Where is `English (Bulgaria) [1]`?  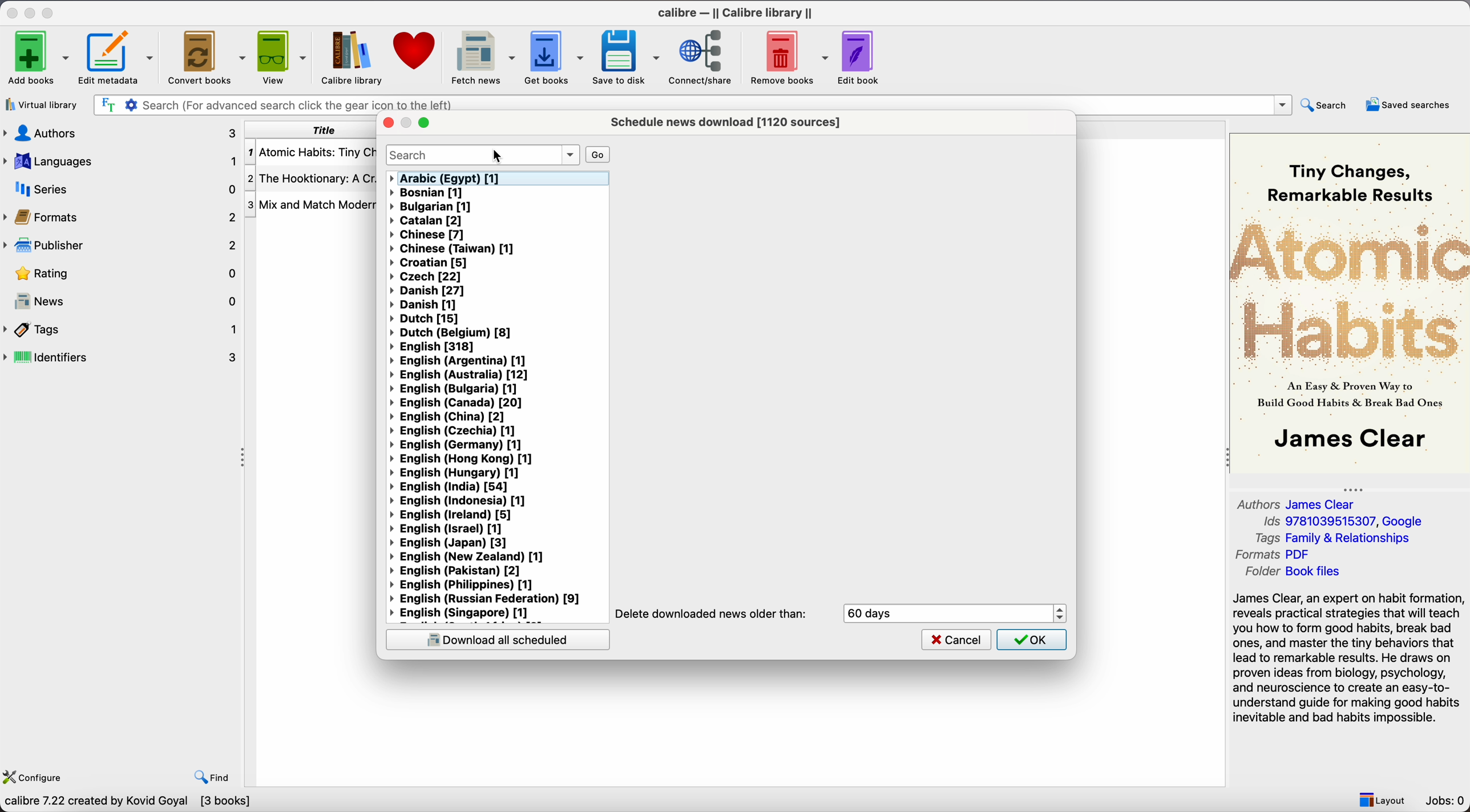
English (Bulgaria) [1] is located at coordinates (455, 388).